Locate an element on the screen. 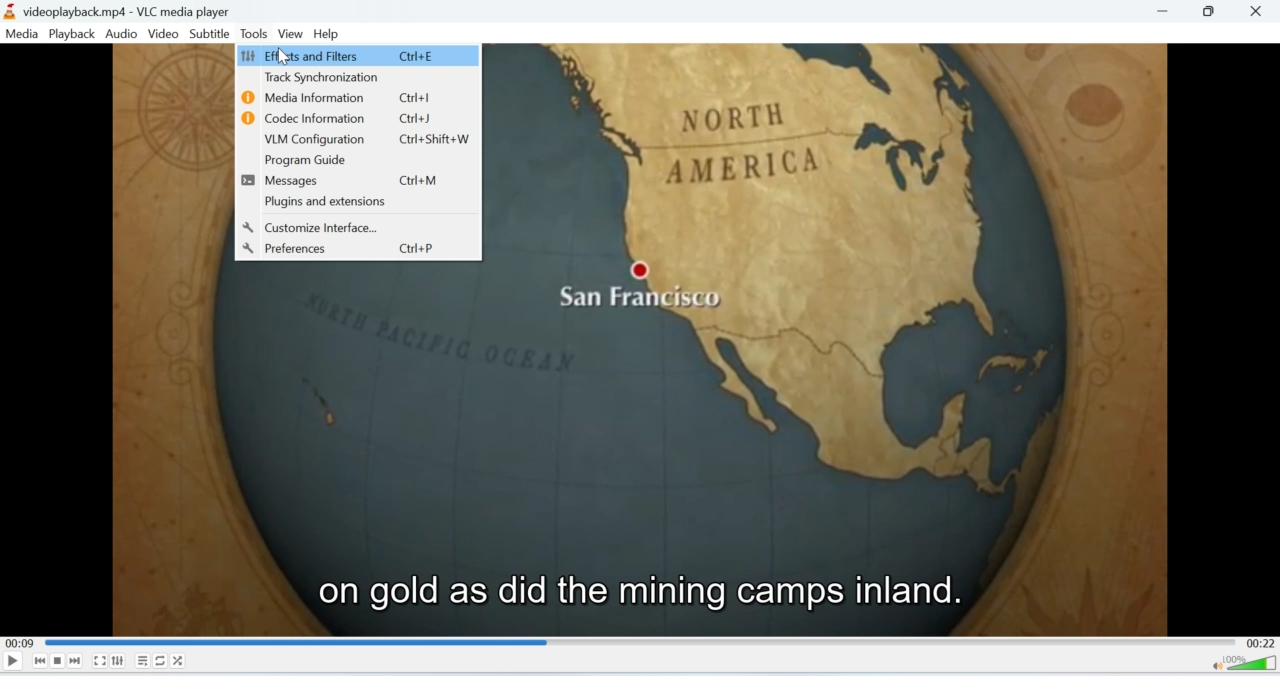  Ctrl+M is located at coordinates (421, 180).